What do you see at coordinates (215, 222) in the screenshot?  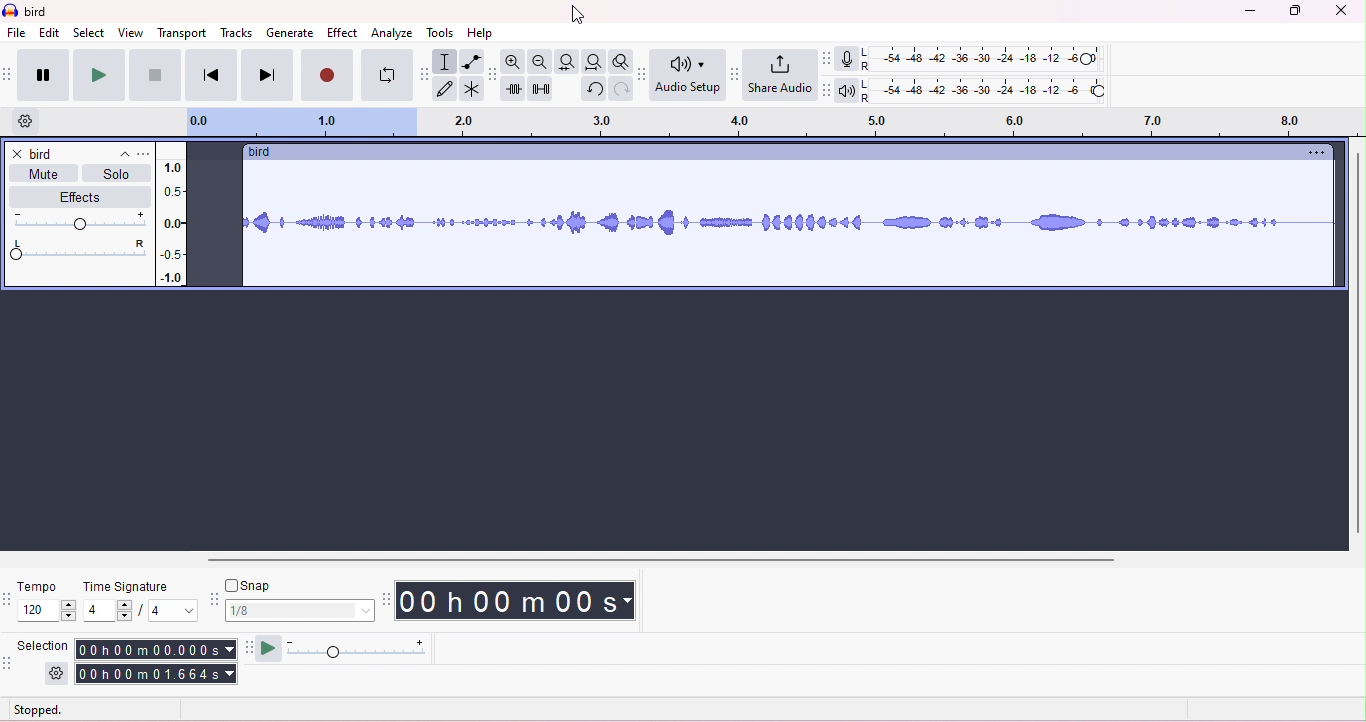 I see `dragged` at bounding box center [215, 222].